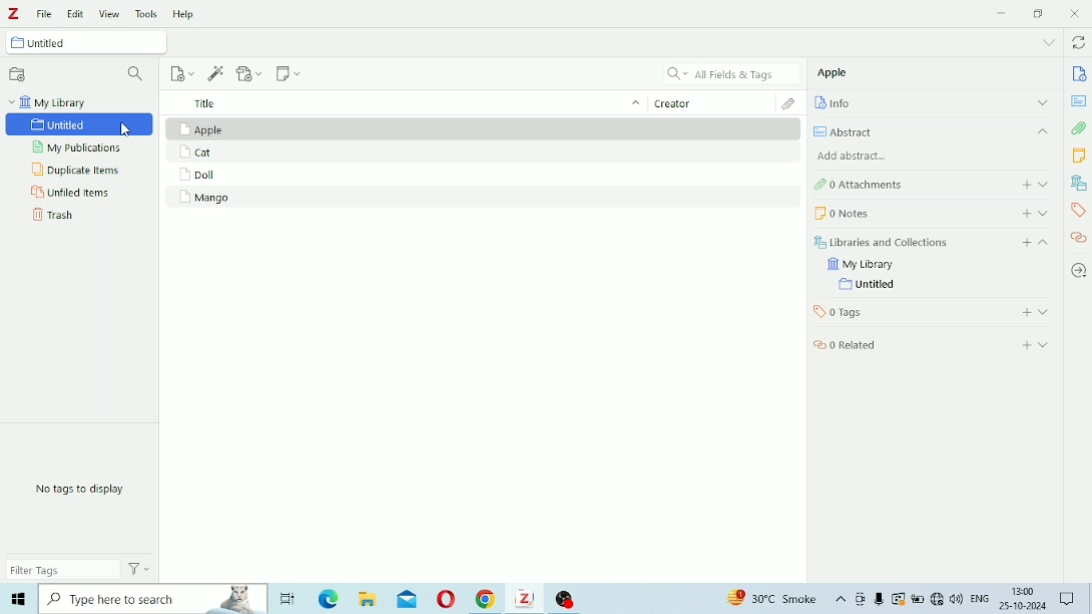 The width and height of the screenshot is (1092, 614). What do you see at coordinates (1079, 236) in the screenshot?
I see `Related` at bounding box center [1079, 236].